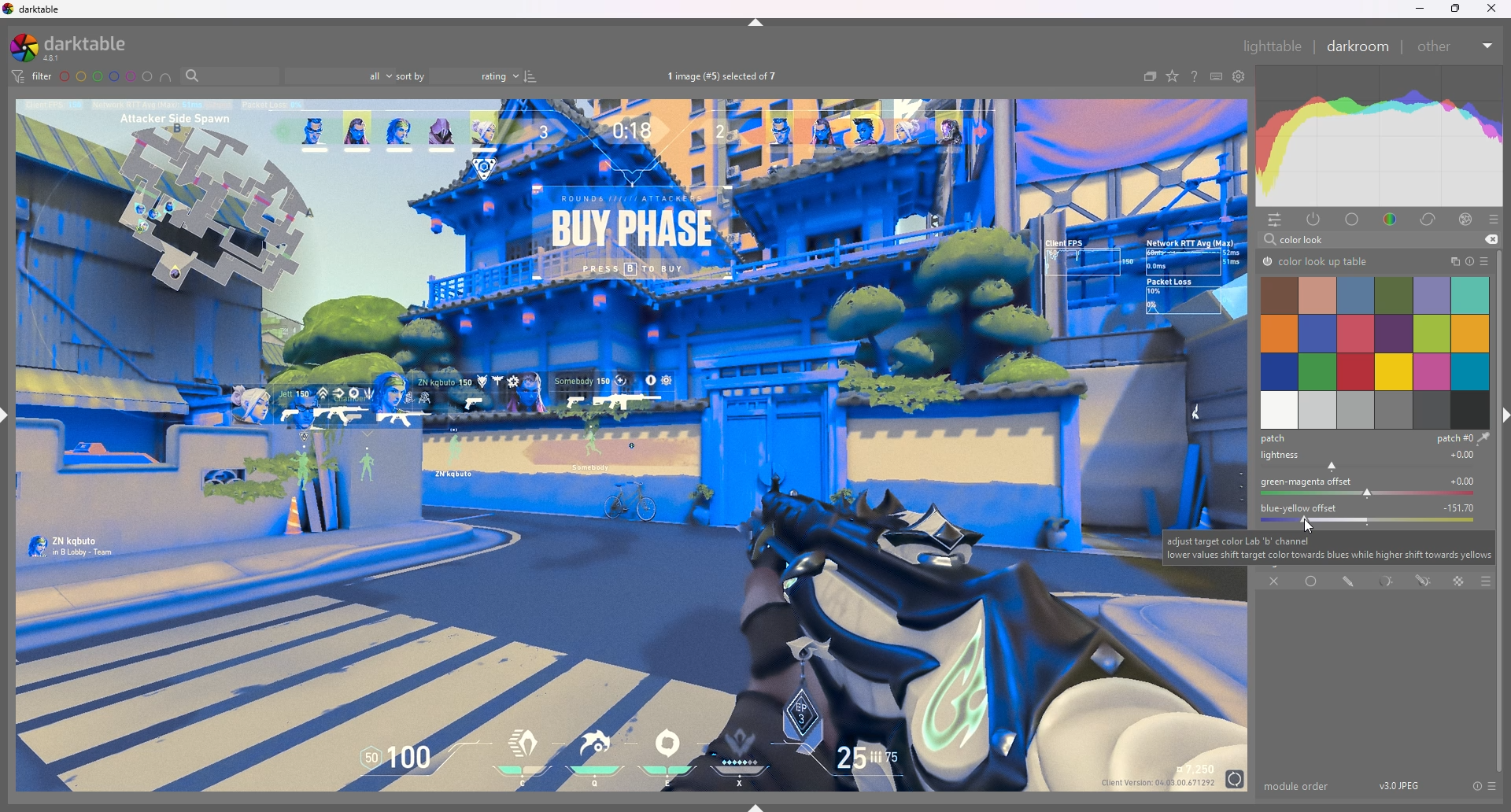  What do you see at coordinates (1217, 76) in the screenshot?
I see `keyboard shortcuts` at bounding box center [1217, 76].